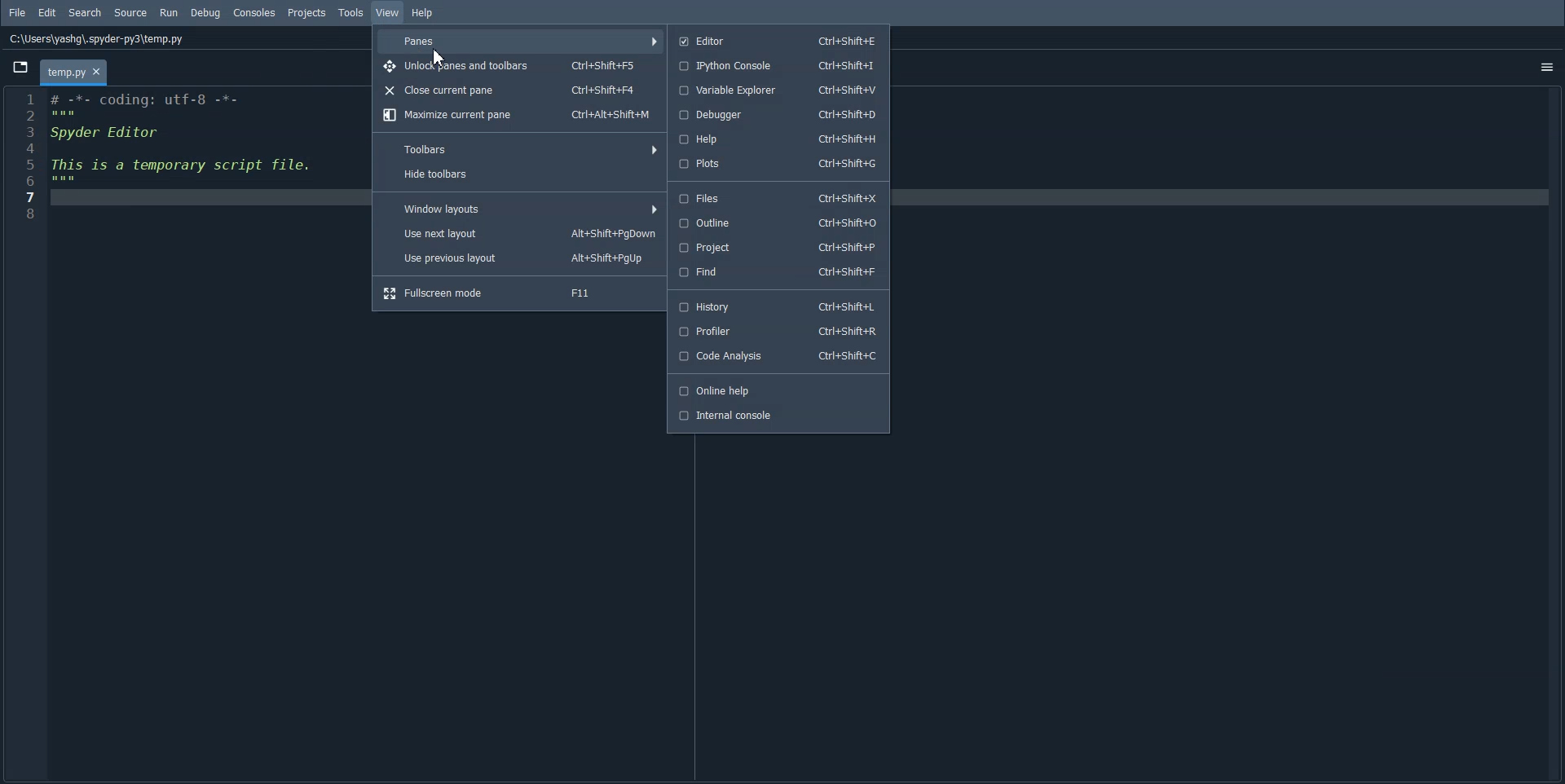  What do you see at coordinates (778, 164) in the screenshot?
I see `Plot` at bounding box center [778, 164].